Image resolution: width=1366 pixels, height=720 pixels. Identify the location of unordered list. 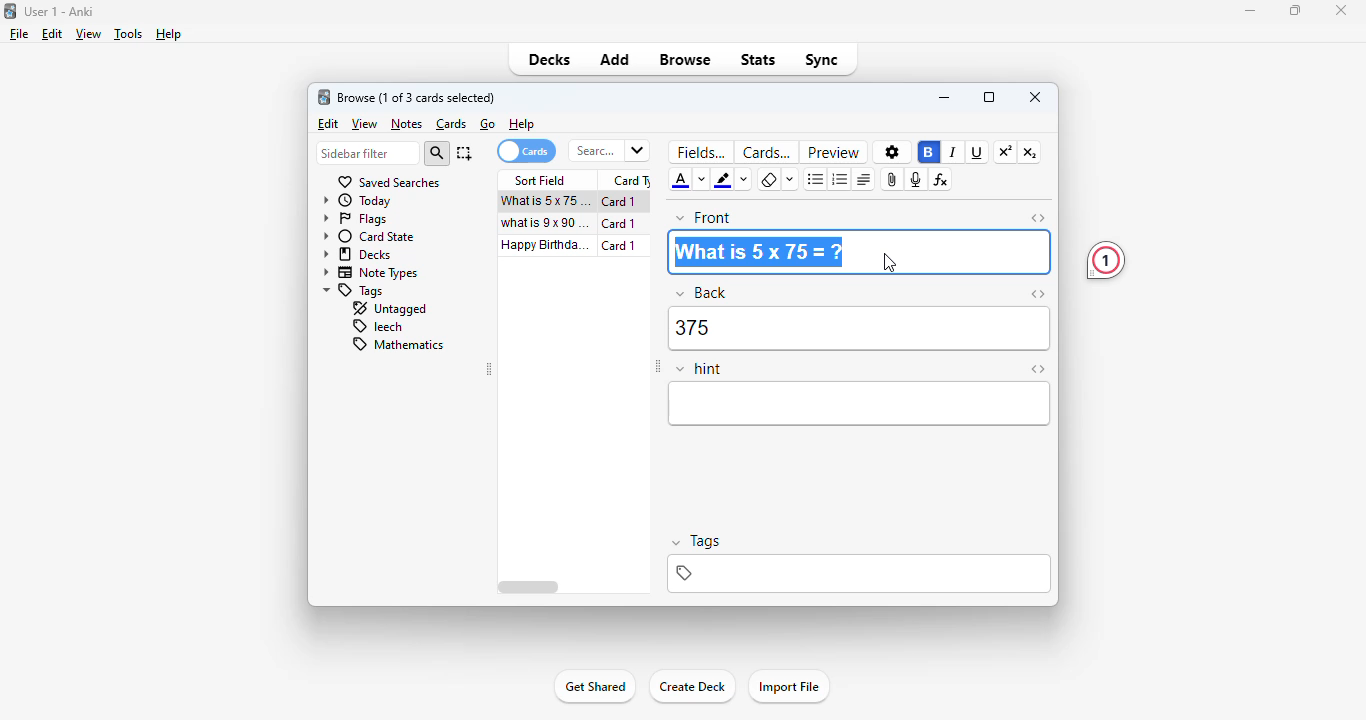
(815, 179).